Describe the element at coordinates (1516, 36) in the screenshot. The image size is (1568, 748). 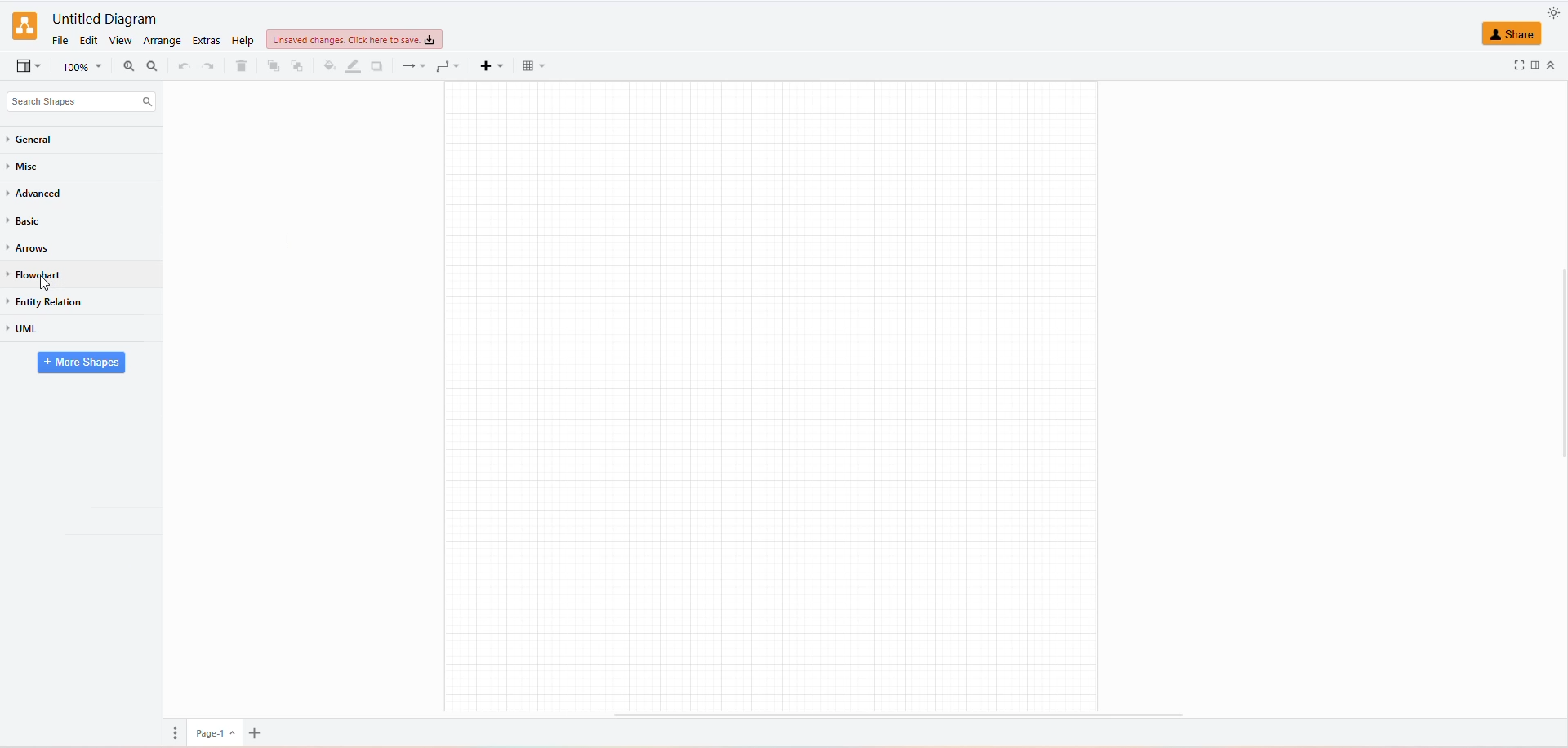
I see `SHARE` at that location.